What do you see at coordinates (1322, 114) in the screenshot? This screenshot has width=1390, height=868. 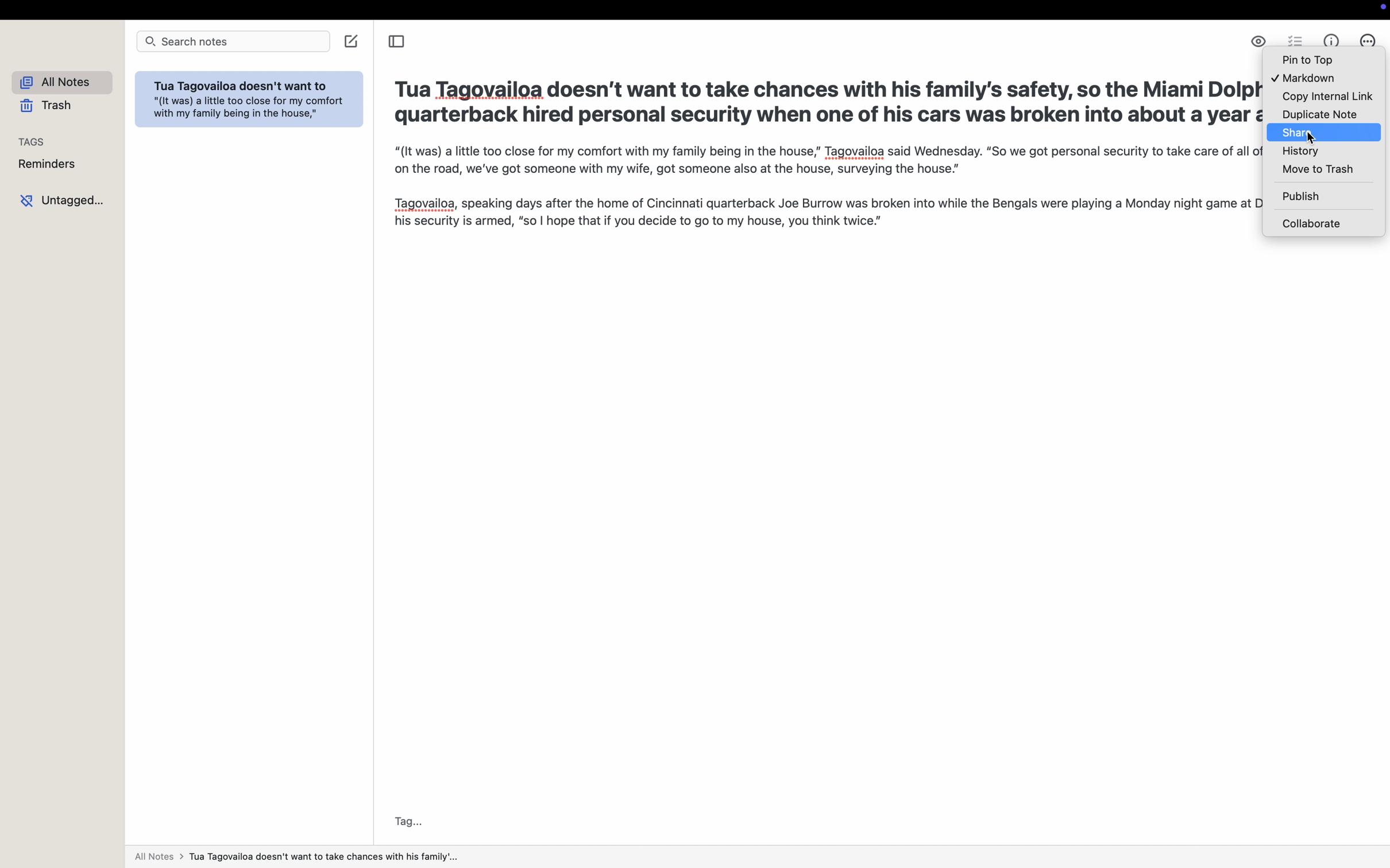 I see `duplicate note` at bounding box center [1322, 114].